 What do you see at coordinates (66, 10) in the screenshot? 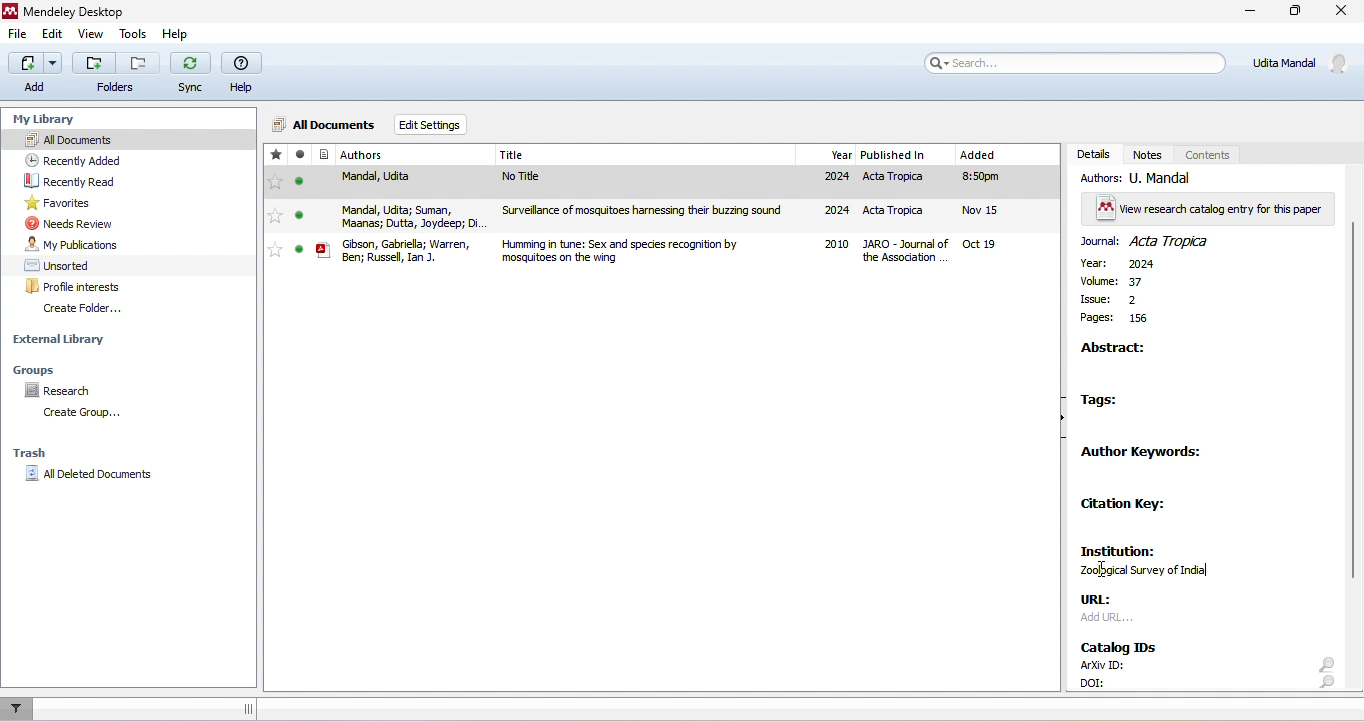
I see `title` at bounding box center [66, 10].